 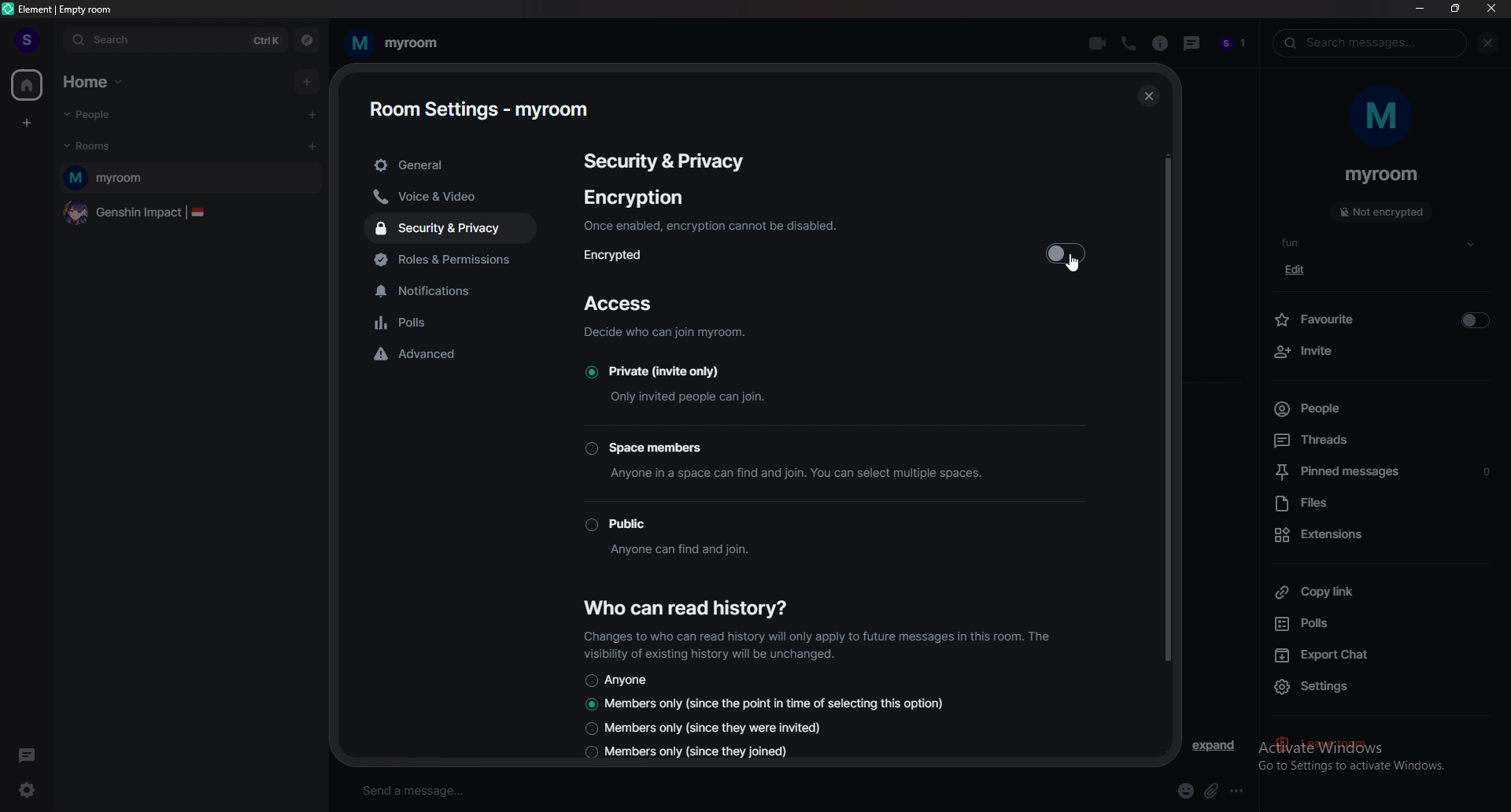 I want to click on threads, so click(x=1380, y=440).